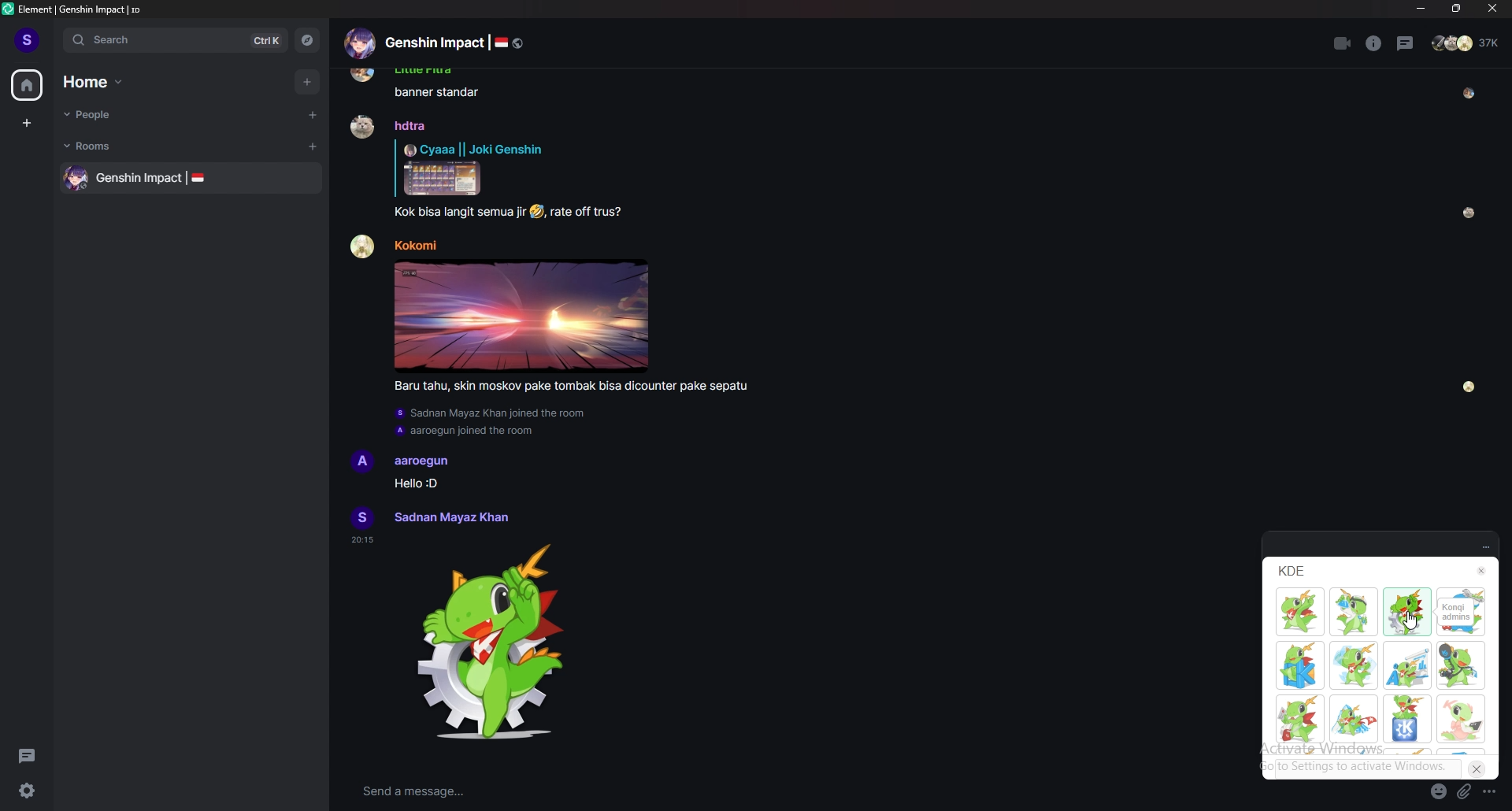 This screenshot has height=811, width=1512. I want to click on cancel, so click(1477, 769).